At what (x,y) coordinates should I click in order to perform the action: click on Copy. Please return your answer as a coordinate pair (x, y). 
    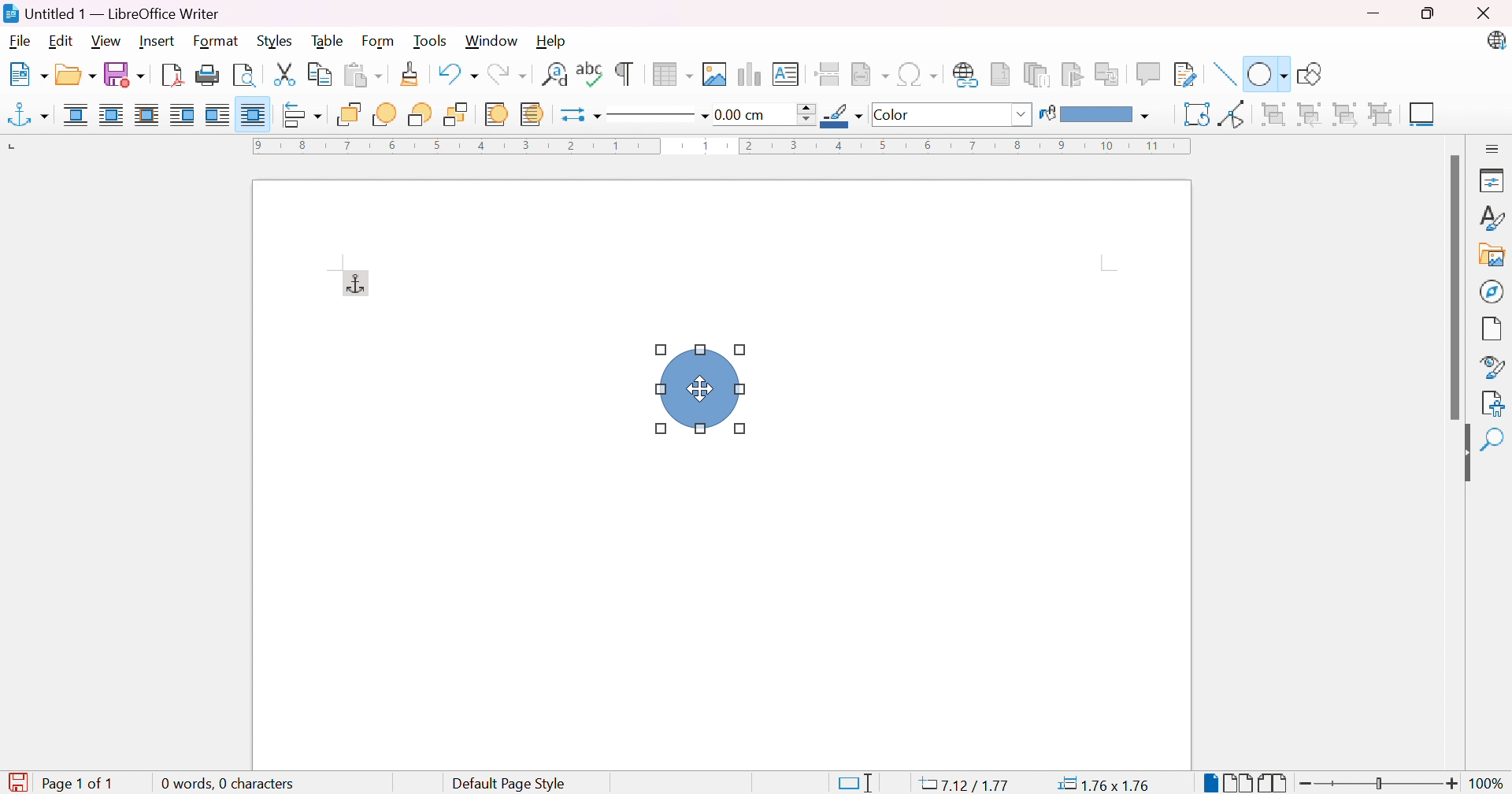
    Looking at the image, I should click on (321, 76).